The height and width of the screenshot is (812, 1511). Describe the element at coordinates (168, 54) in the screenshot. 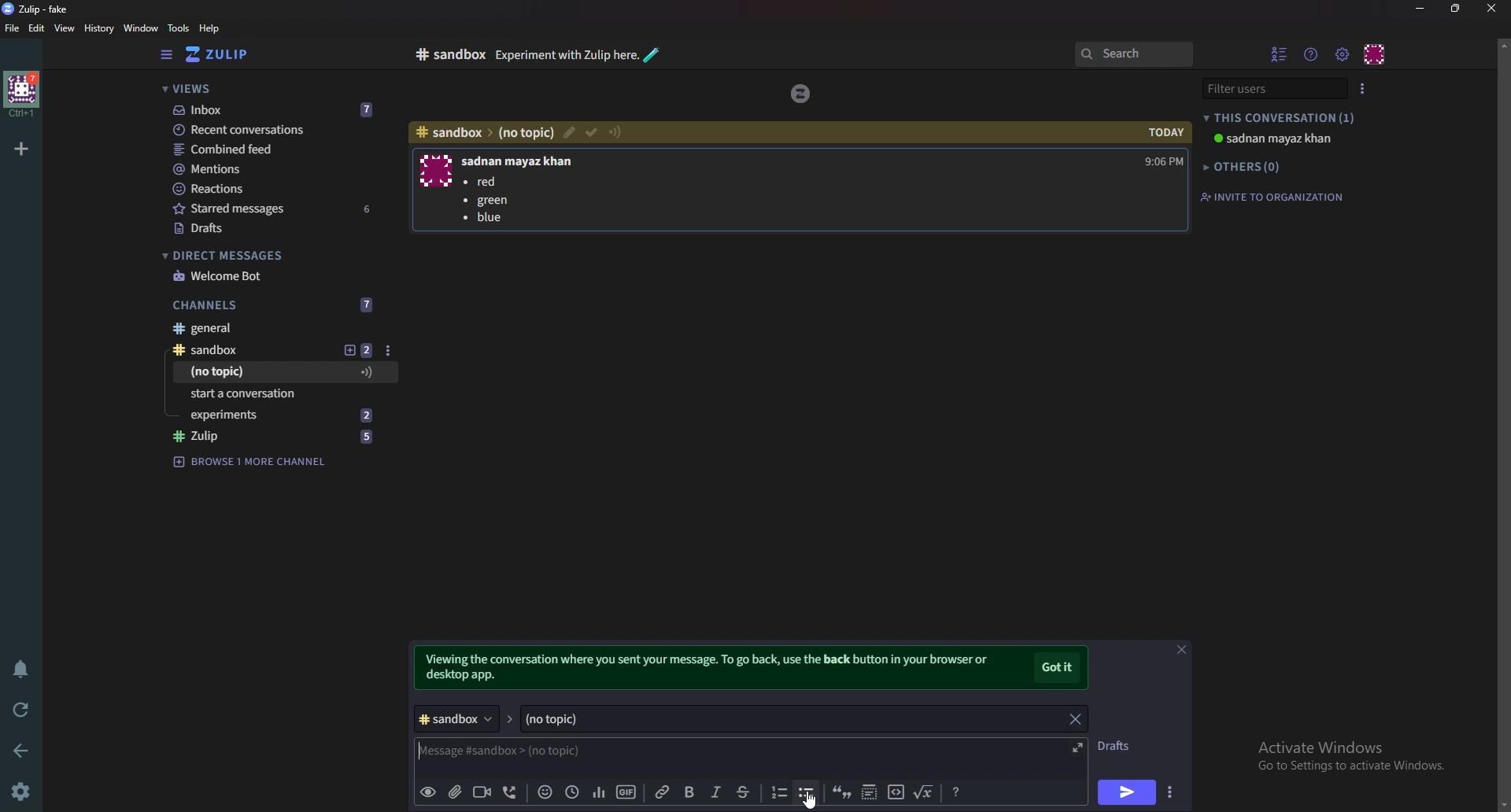

I see `Hide sidebar` at that location.